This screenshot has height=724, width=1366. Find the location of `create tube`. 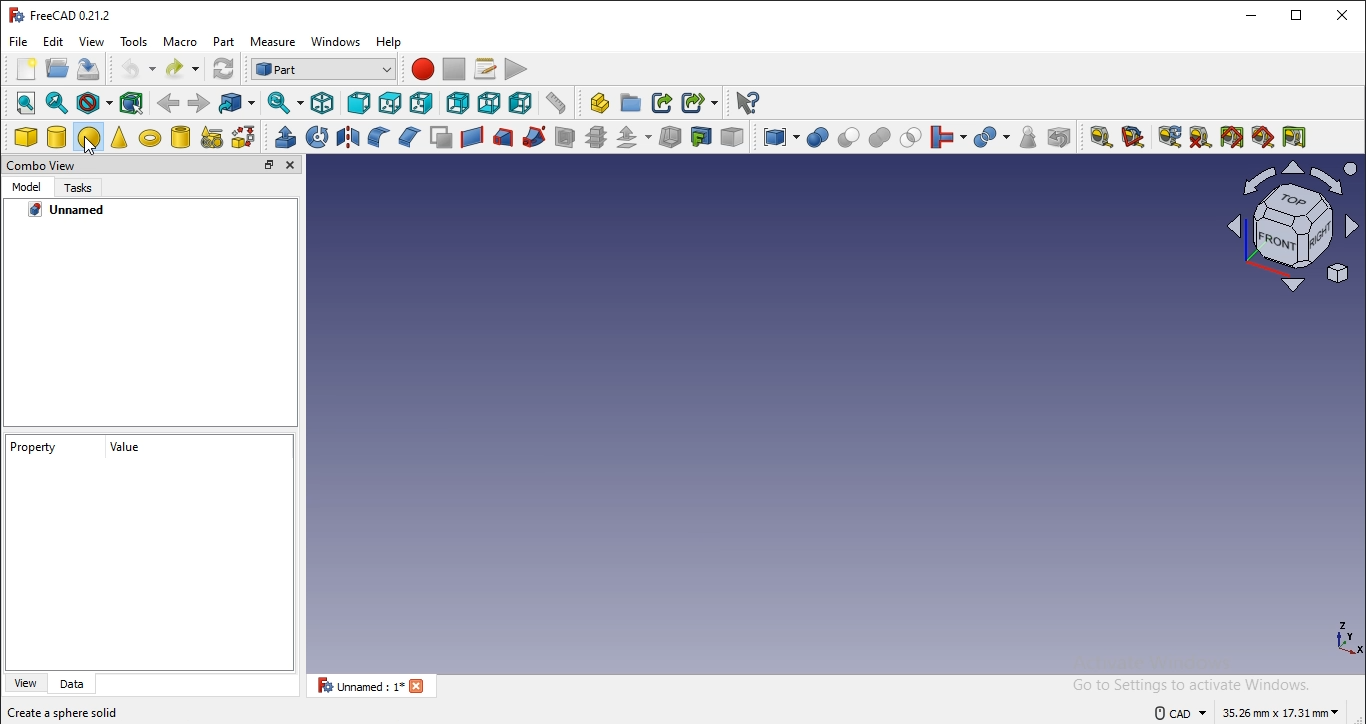

create tube is located at coordinates (180, 137).